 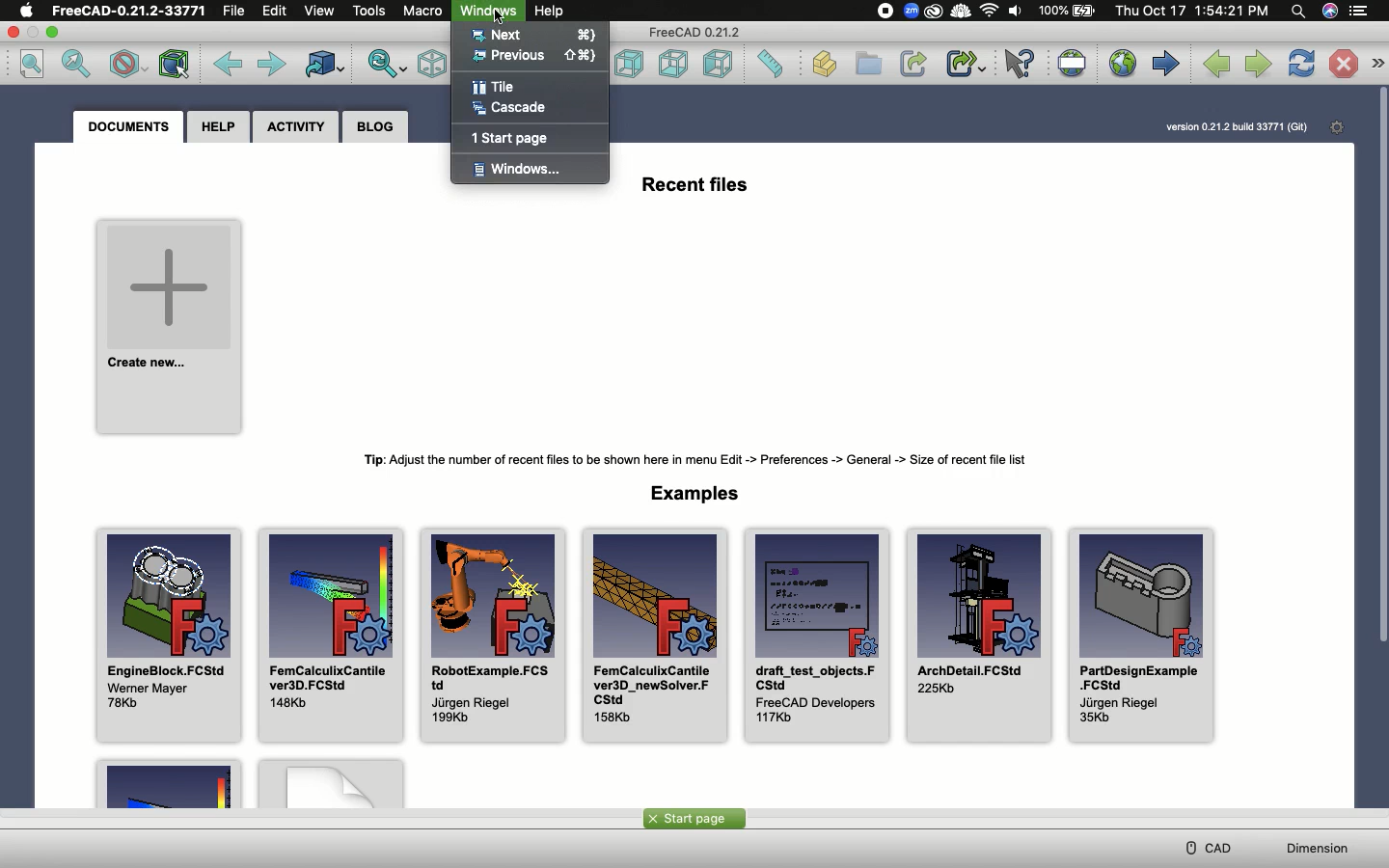 What do you see at coordinates (696, 459) in the screenshot?
I see `Tip` at bounding box center [696, 459].